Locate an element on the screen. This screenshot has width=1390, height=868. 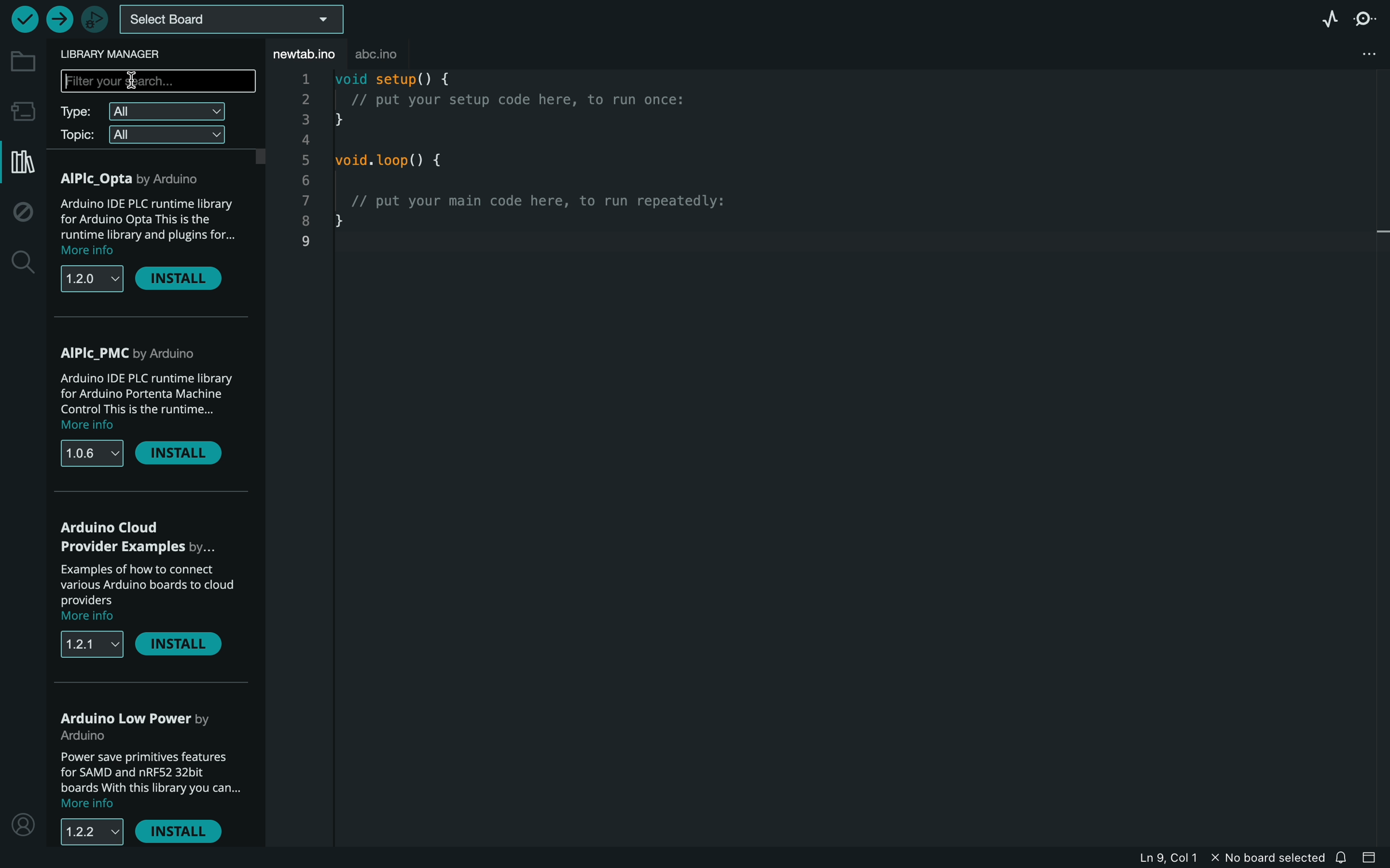
board manager is located at coordinates (23, 111).